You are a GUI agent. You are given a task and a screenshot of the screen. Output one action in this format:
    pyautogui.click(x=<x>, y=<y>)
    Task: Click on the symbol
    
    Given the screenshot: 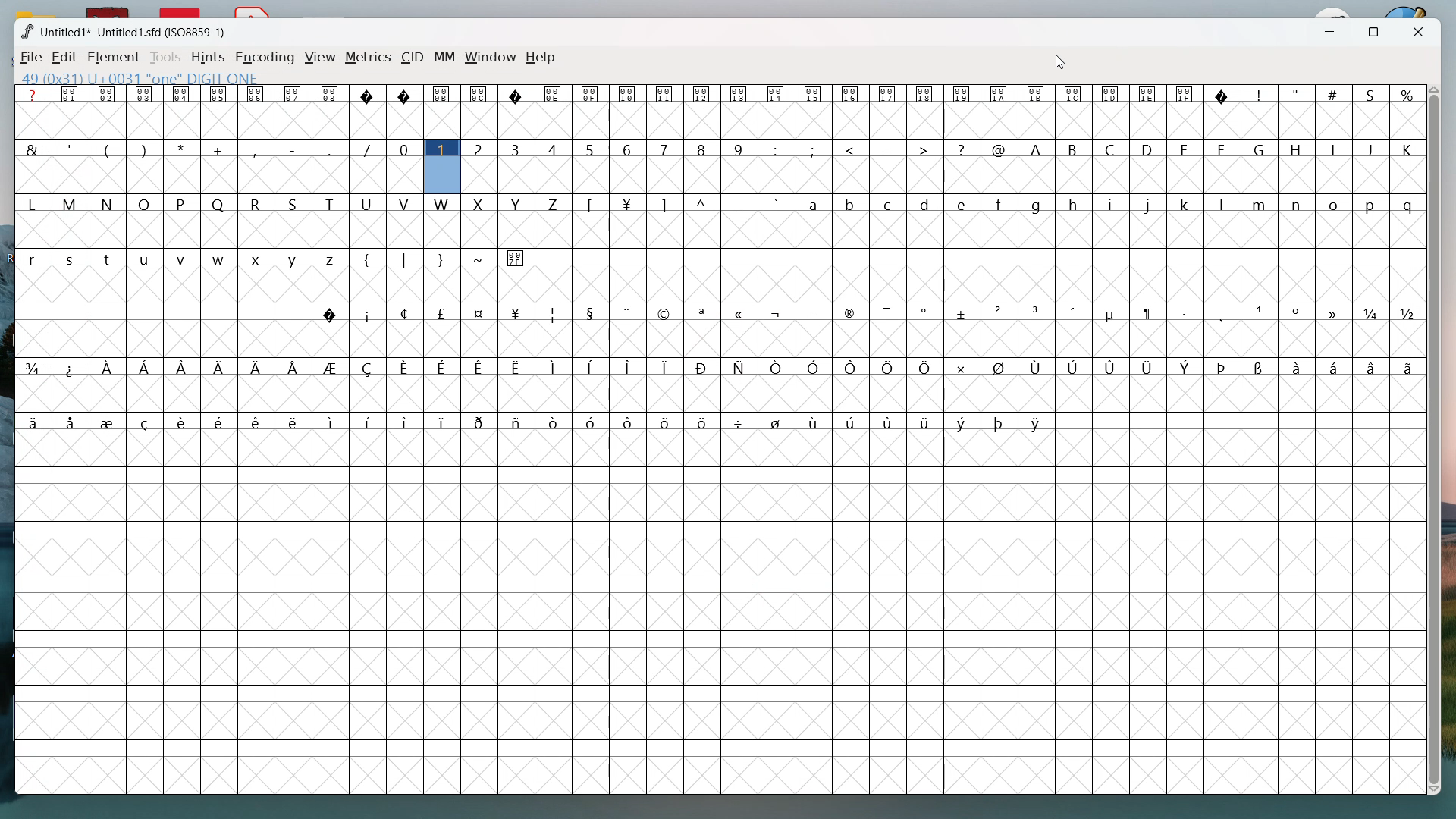 What is the action you would take?
    pyautogui.click(x=331, y=421)
    